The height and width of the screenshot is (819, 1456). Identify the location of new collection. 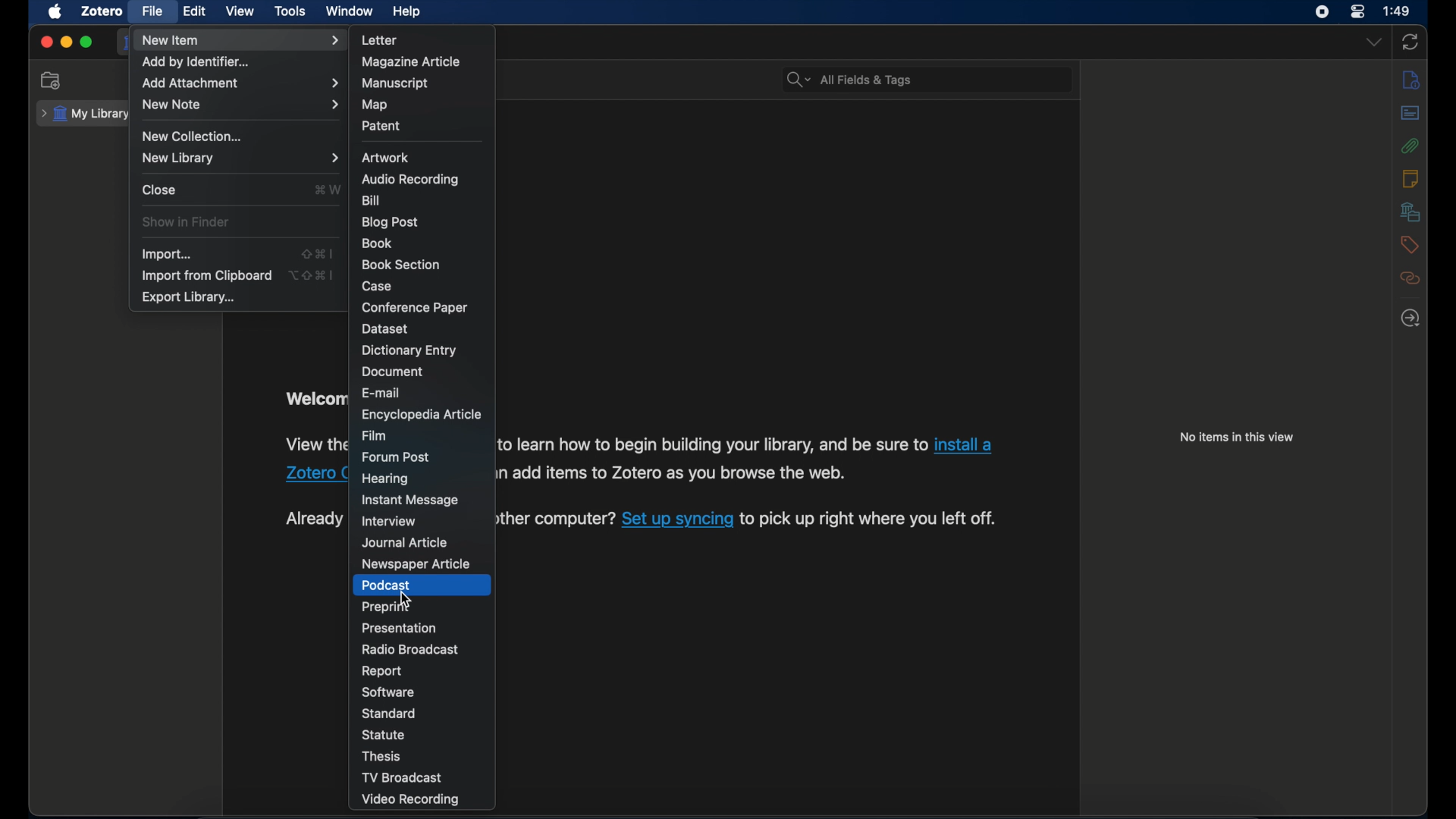
(195, 136).